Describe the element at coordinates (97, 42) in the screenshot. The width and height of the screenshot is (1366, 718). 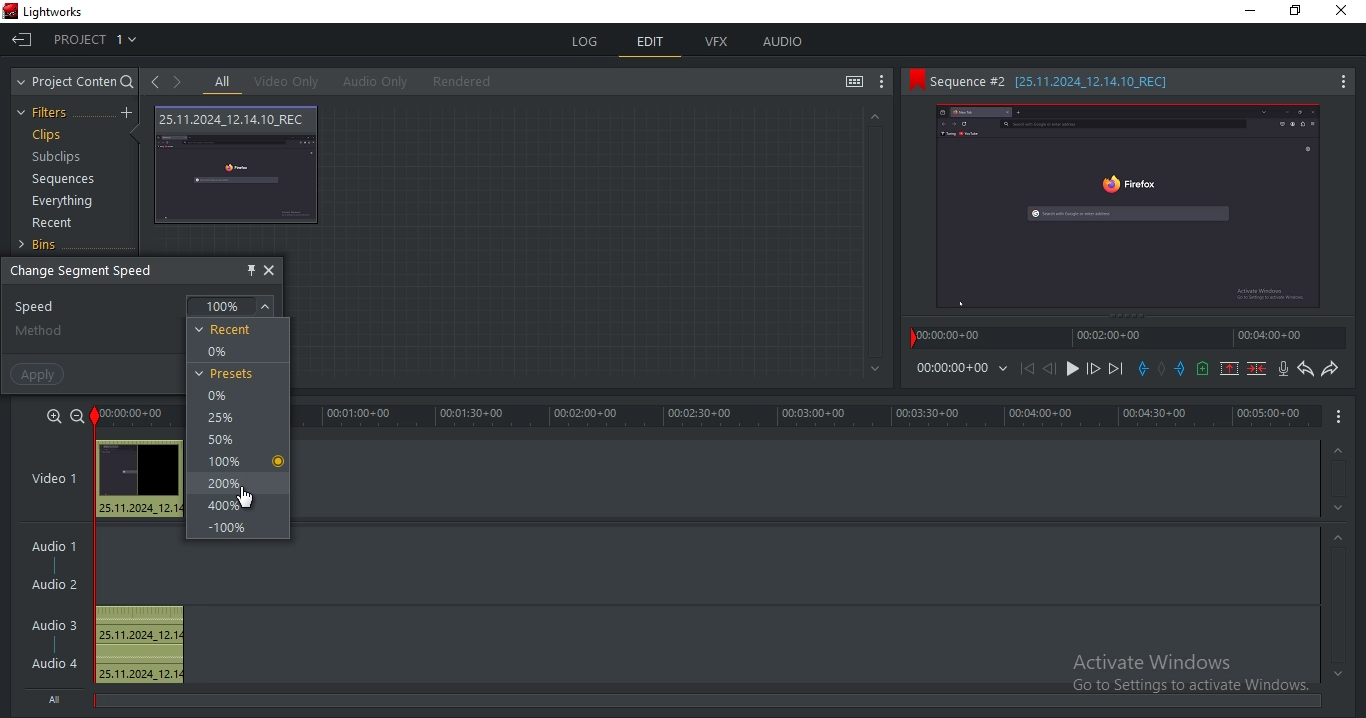
I see `project 1` at that location.